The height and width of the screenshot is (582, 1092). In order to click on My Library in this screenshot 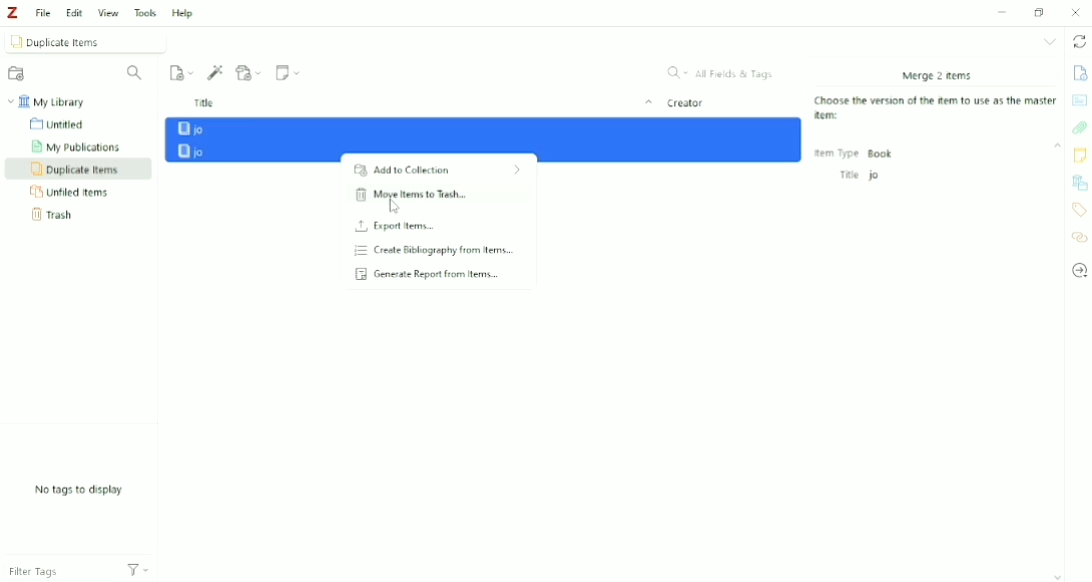, I will do `click(51, 101)`.